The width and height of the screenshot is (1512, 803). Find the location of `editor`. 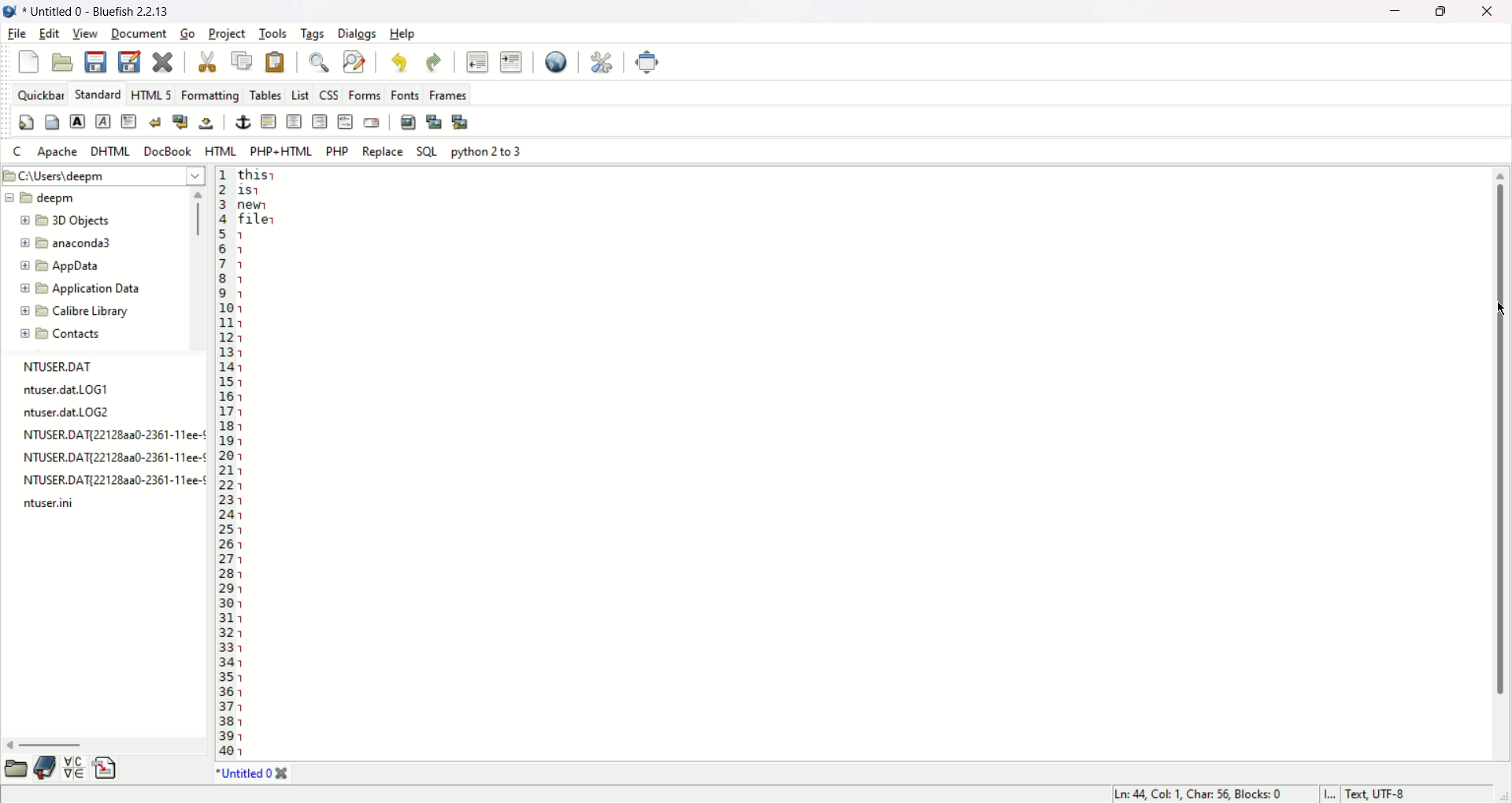

editor is located at coordinates (847, 463).